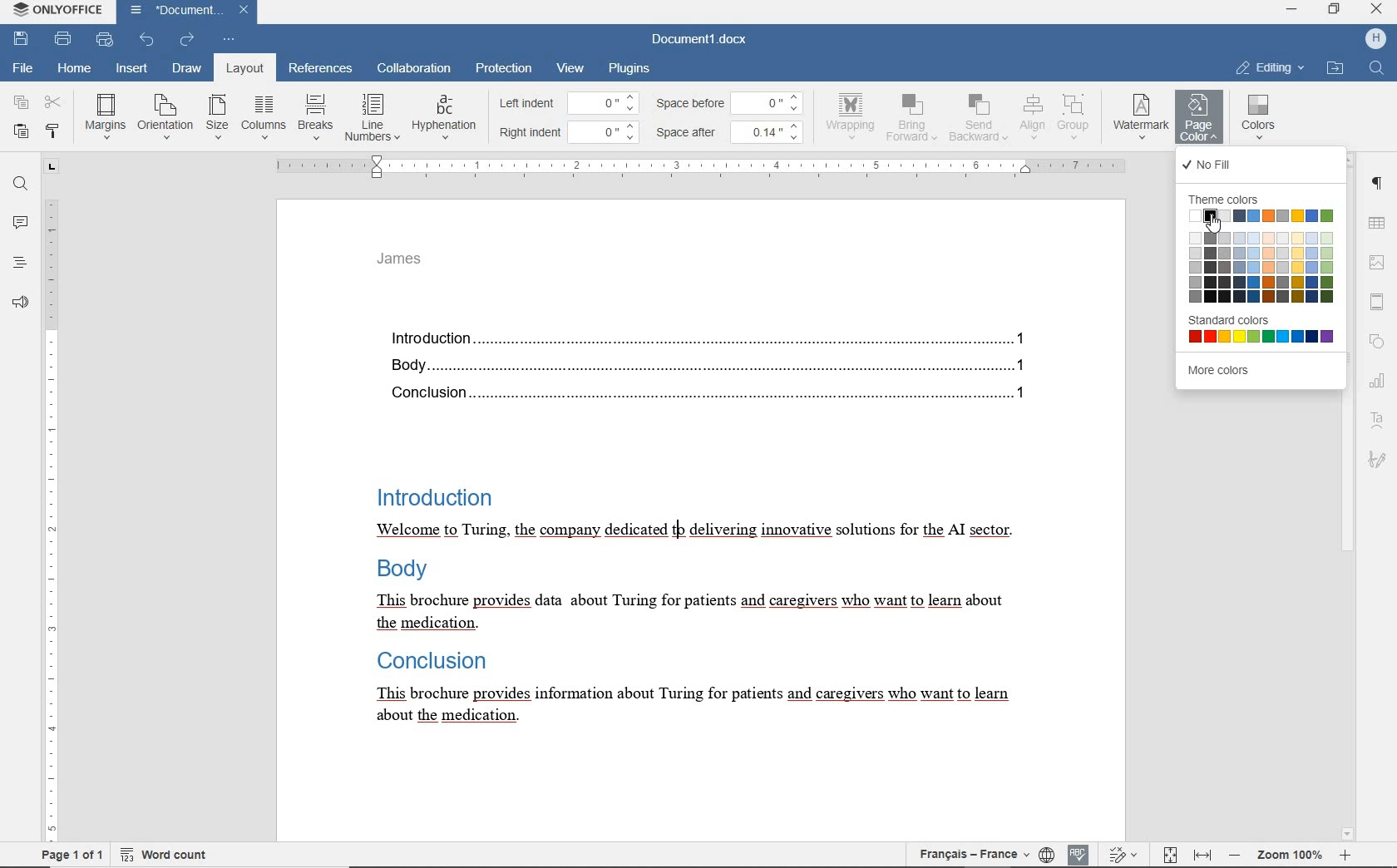  Describe the element at coordinates (185, 67) in the screenshot. I see `draw` at that location.